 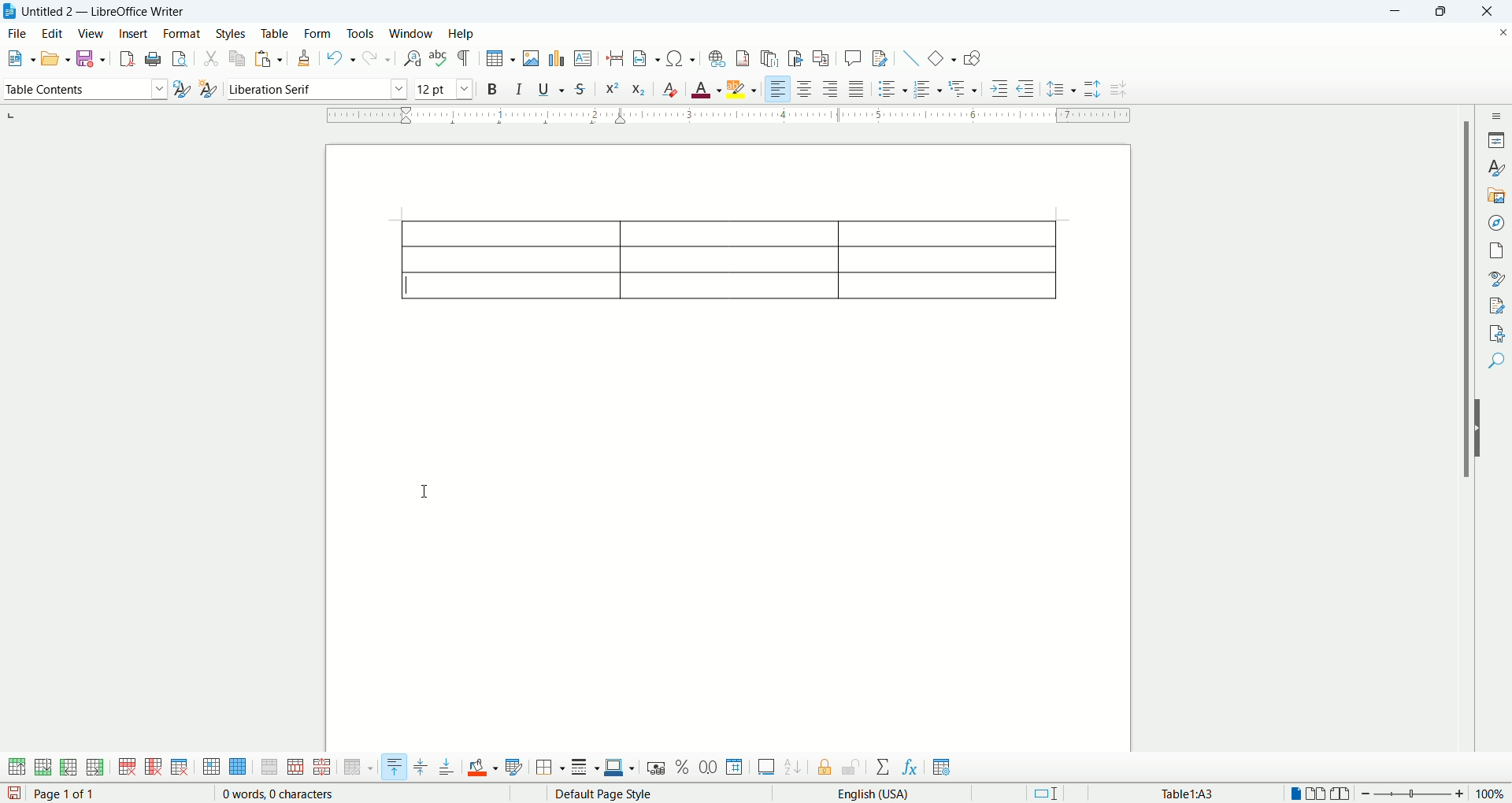 I want to click on paste, so click(x=269, y=61).